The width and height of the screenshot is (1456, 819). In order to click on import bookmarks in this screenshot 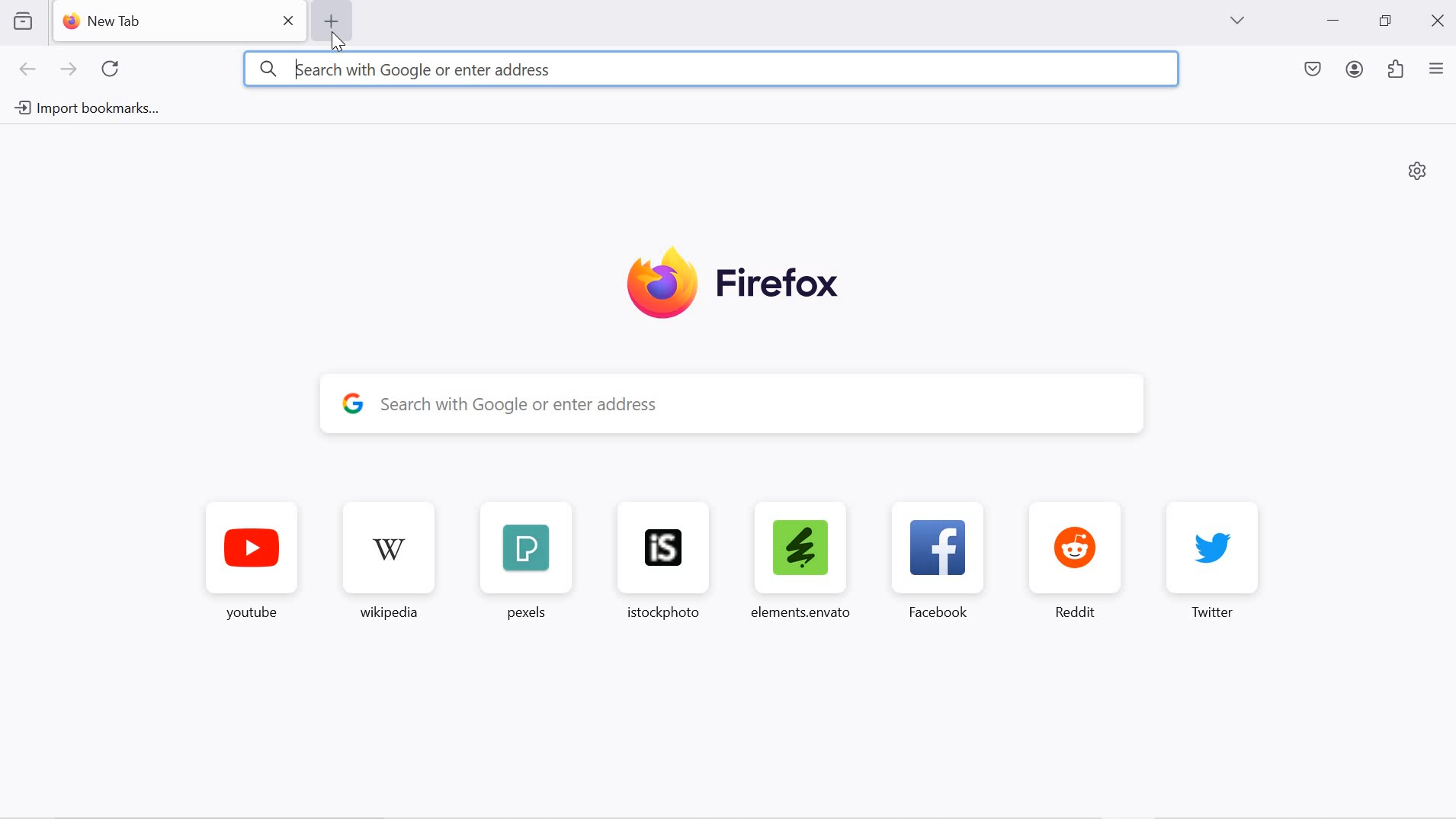, I will do `click(85, 106)`.